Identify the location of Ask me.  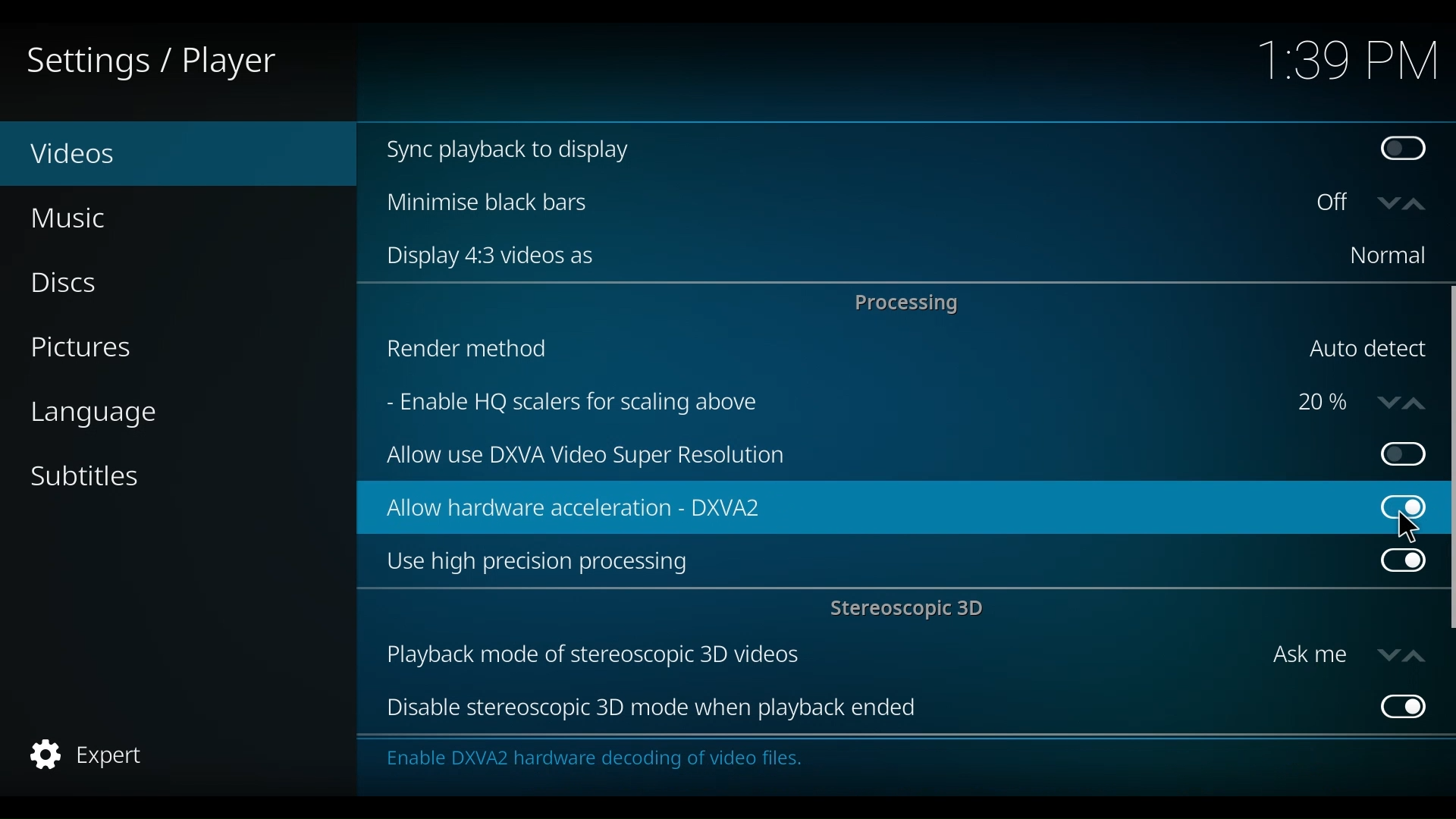
(1309, 655).